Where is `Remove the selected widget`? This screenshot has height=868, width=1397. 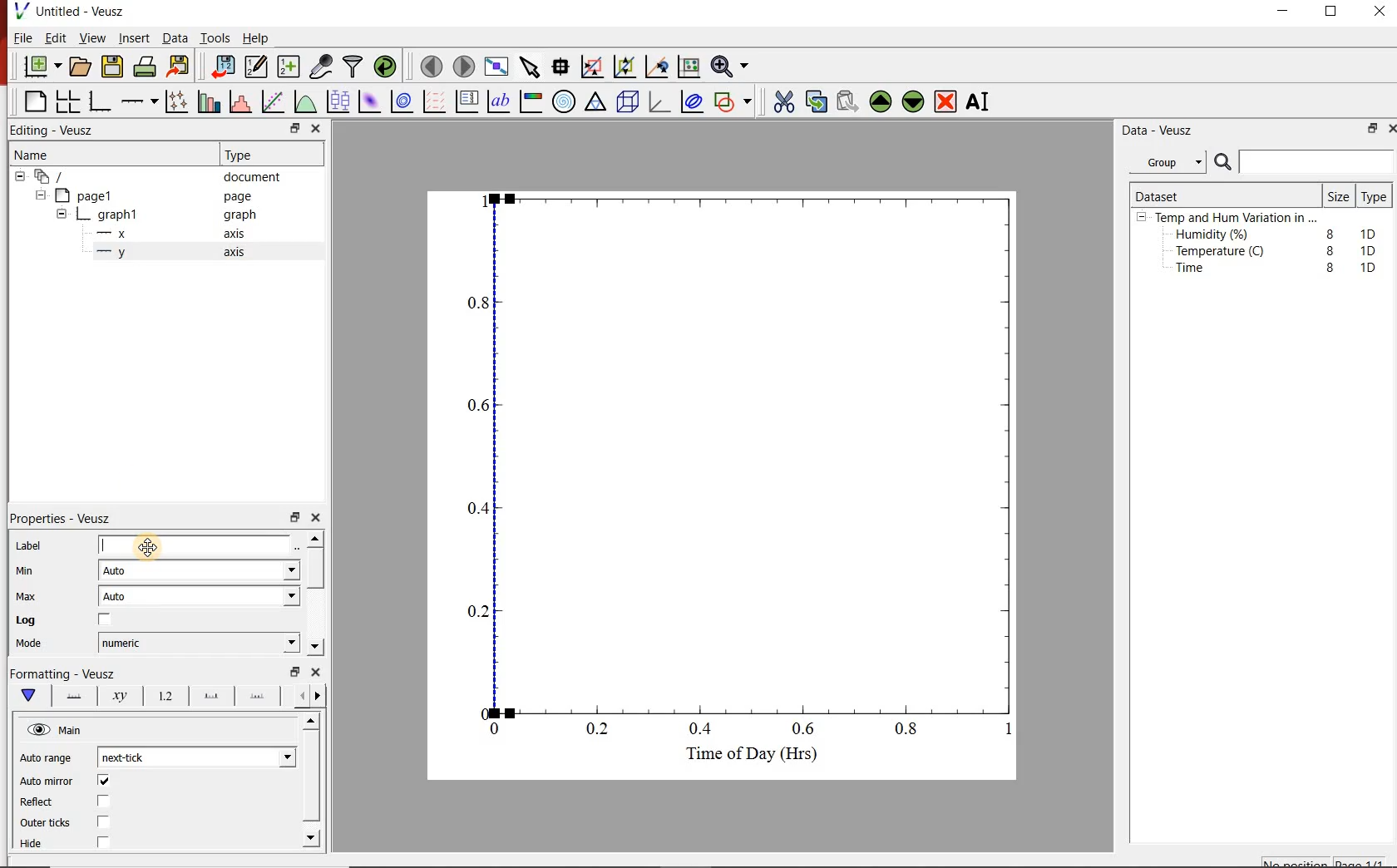
Remove the selected widget is located at coordinates (947, 101).